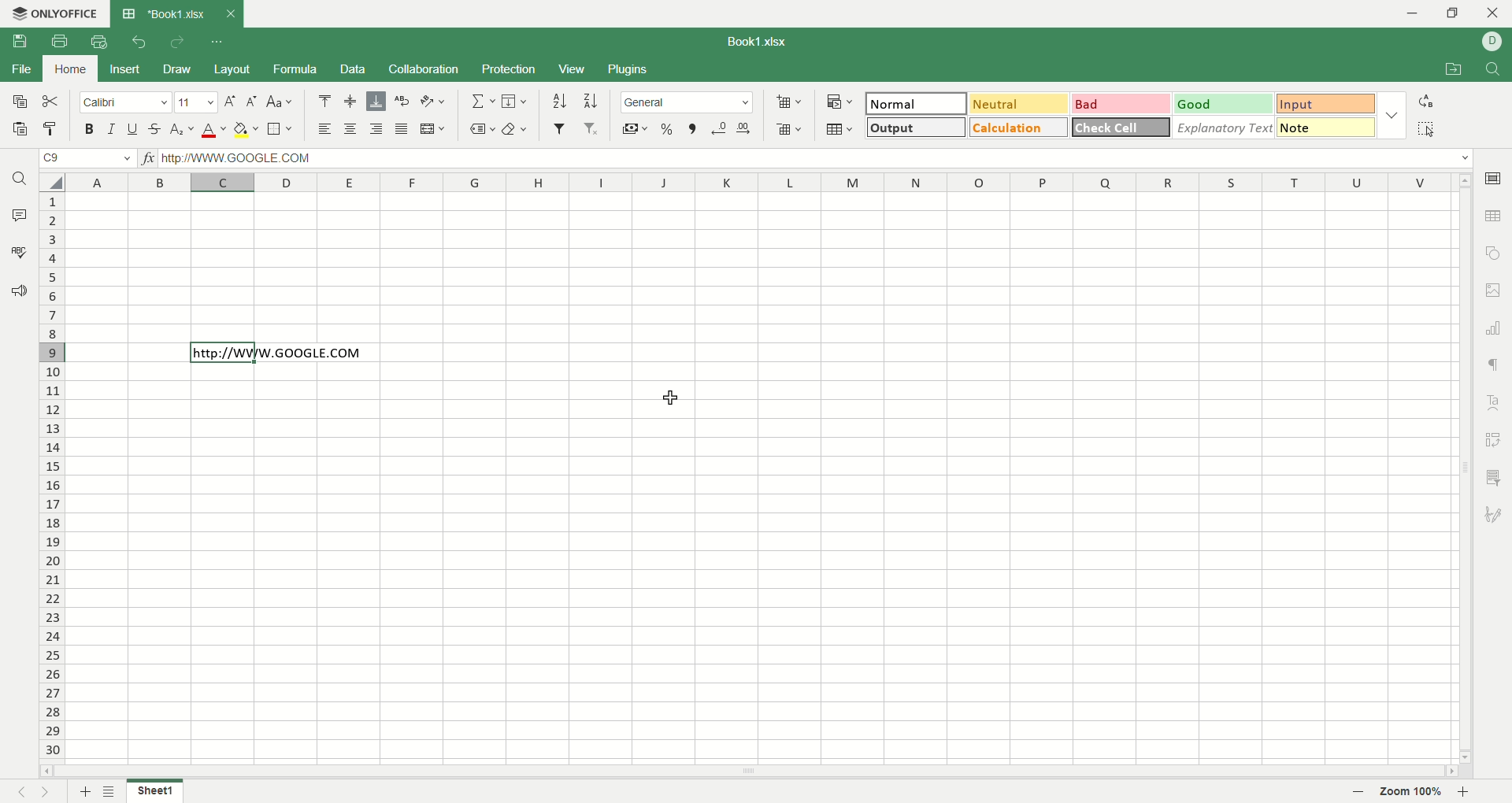 This screenshot has width=1512, height=803. I want to click on align left, so click(322, 129).